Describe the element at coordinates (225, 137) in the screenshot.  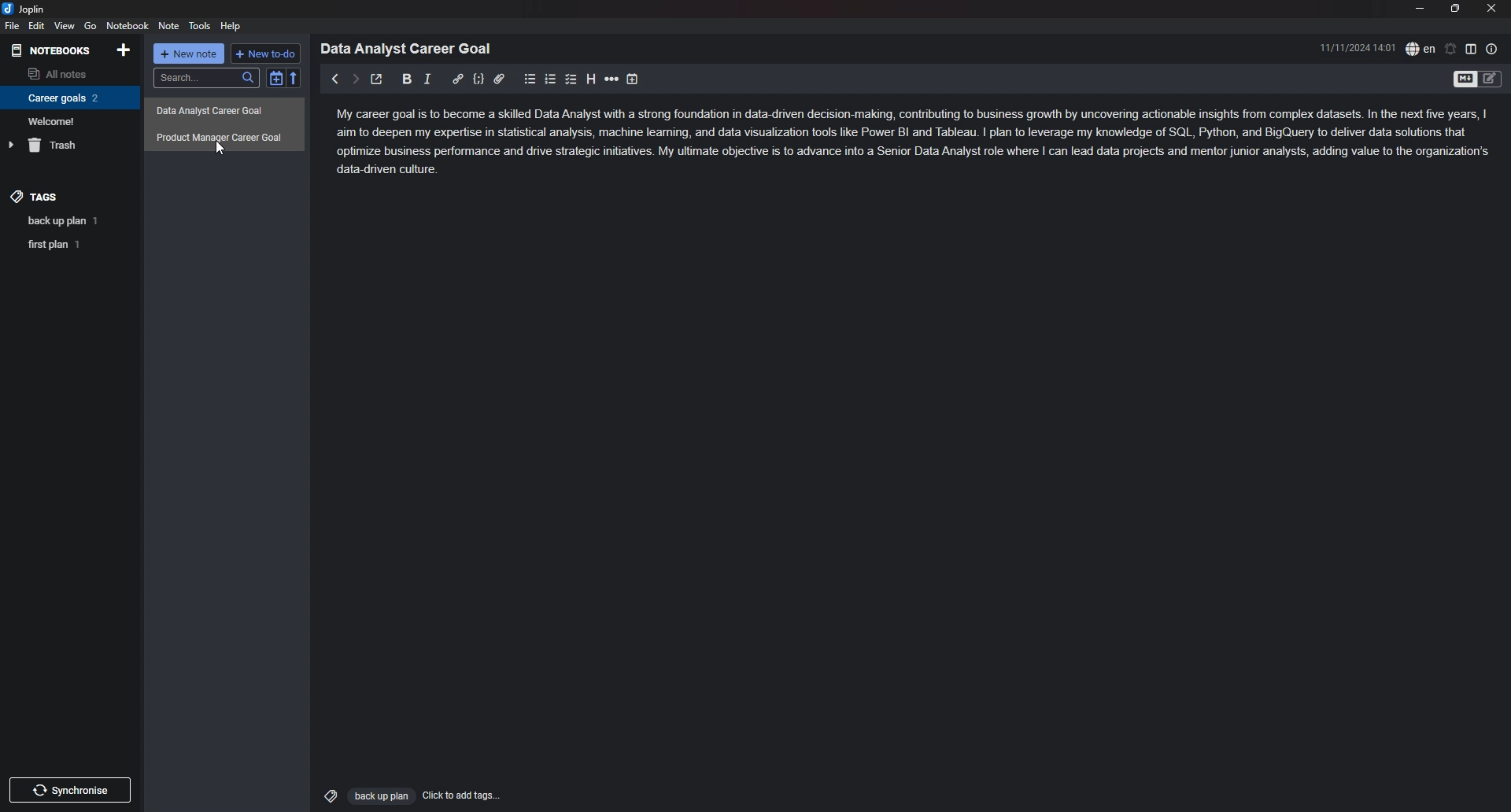
I see `Product Manager Career Goal` at that location.